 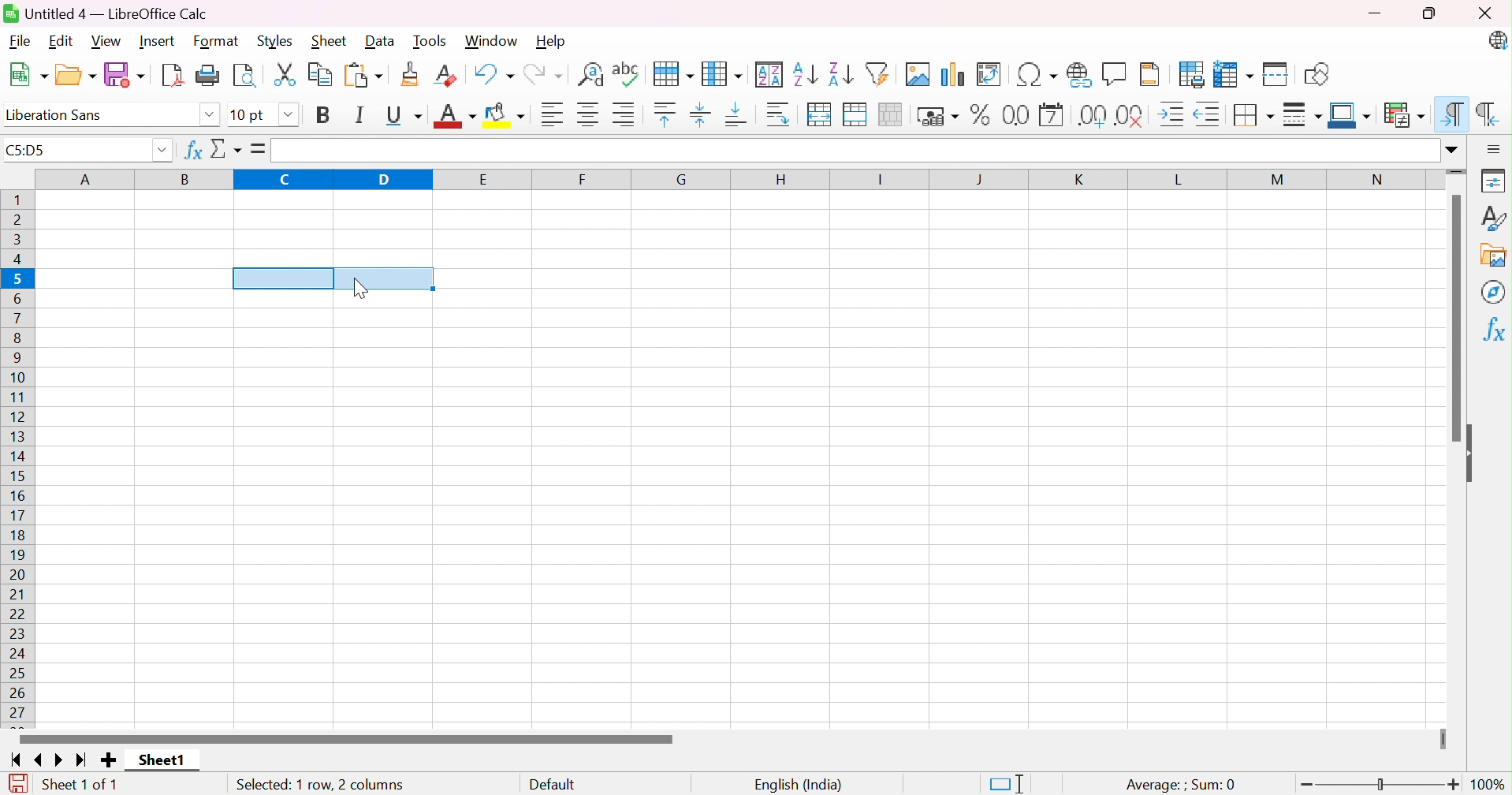 What do you see at coordinates (106, 13) in the screenshot?
I see `Untitled 4 - LibreOffice Calc` at bounding box center [106, 13].